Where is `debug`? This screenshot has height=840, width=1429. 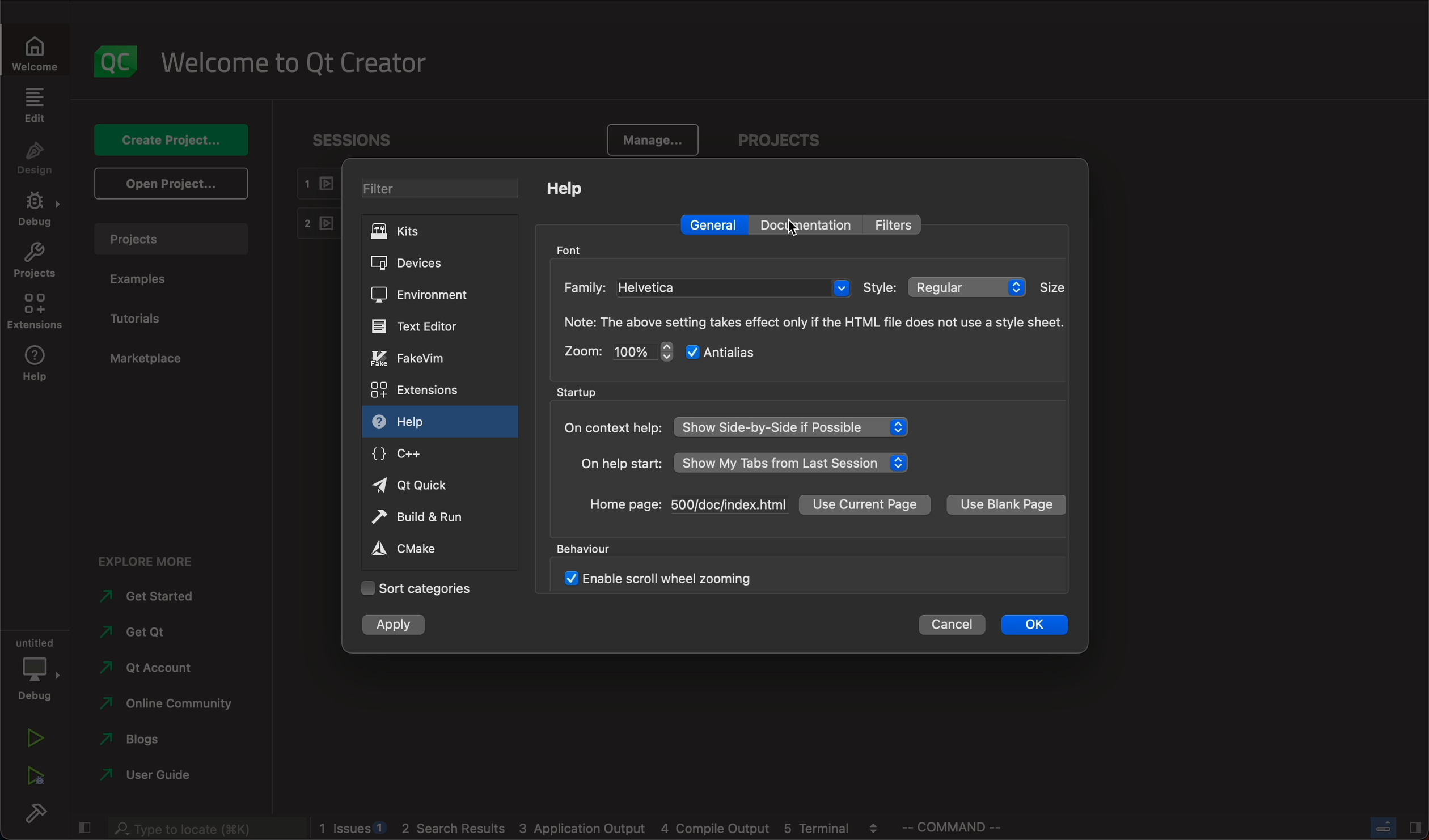 debug is located at coordinates (38, 667).